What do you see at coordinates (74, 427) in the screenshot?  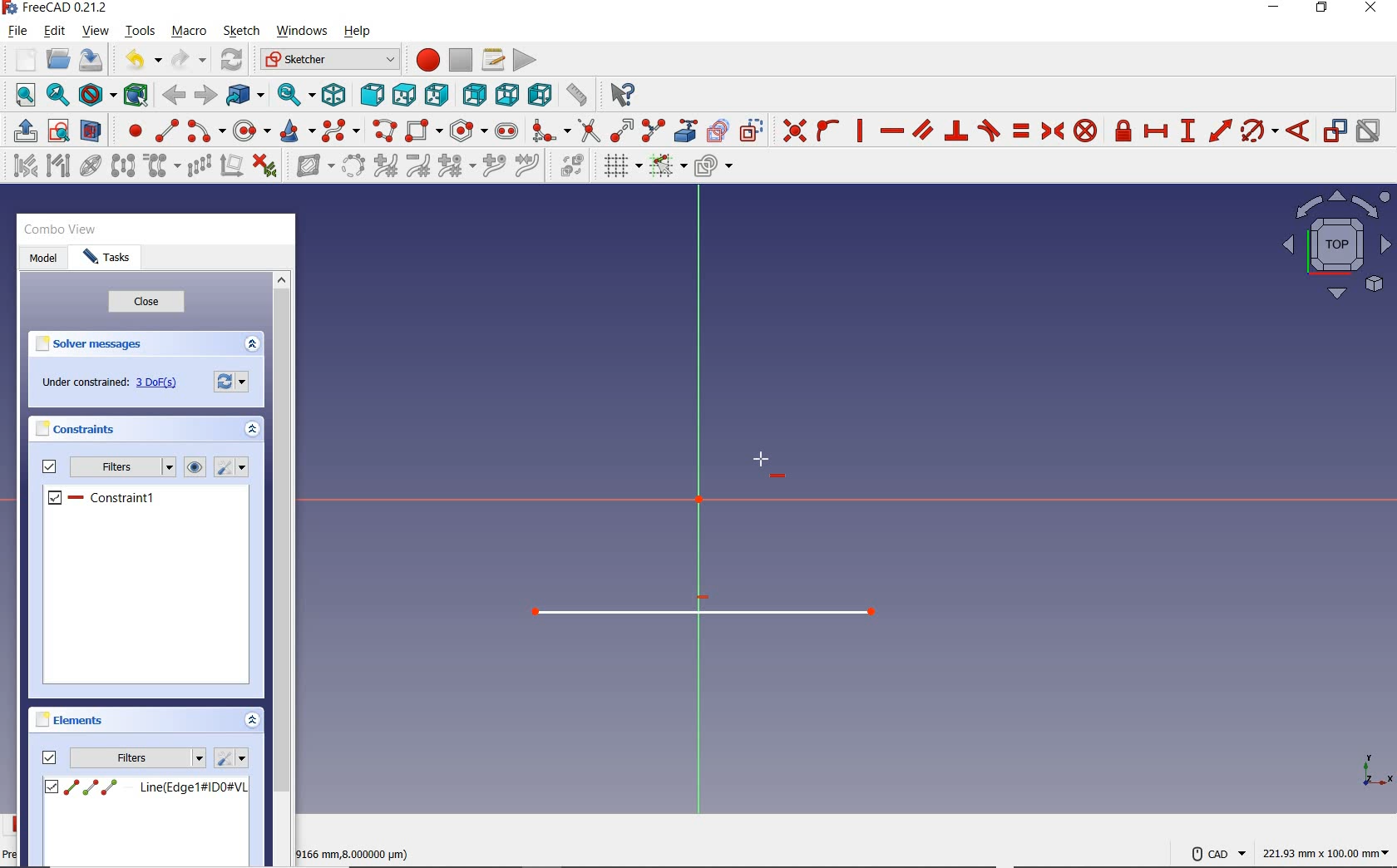 I see `CONSTRAINTS` at bounding box center [74, 427].